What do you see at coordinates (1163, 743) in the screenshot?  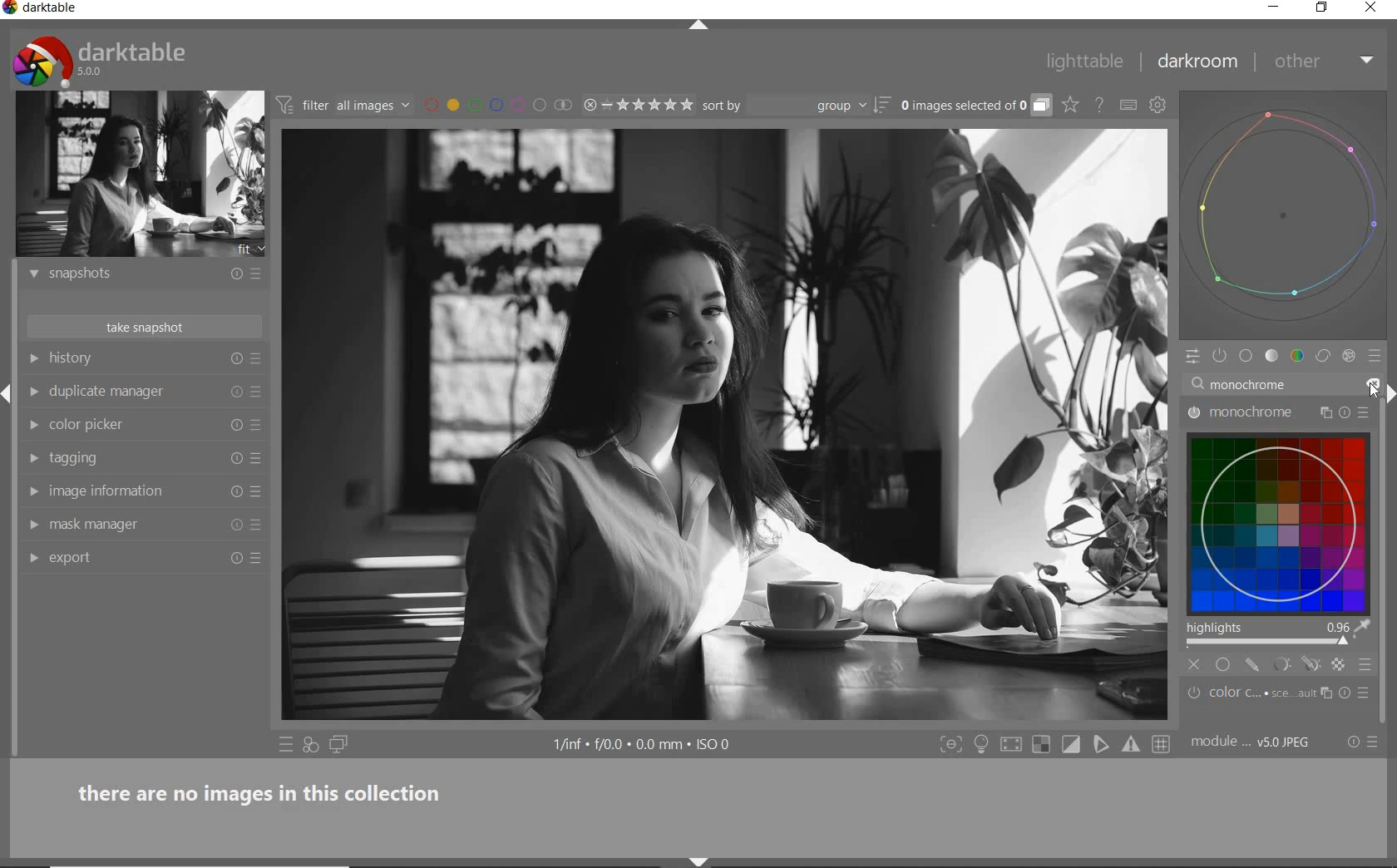 I see `Toggle guide lines` at bounding box center [1163, 743].